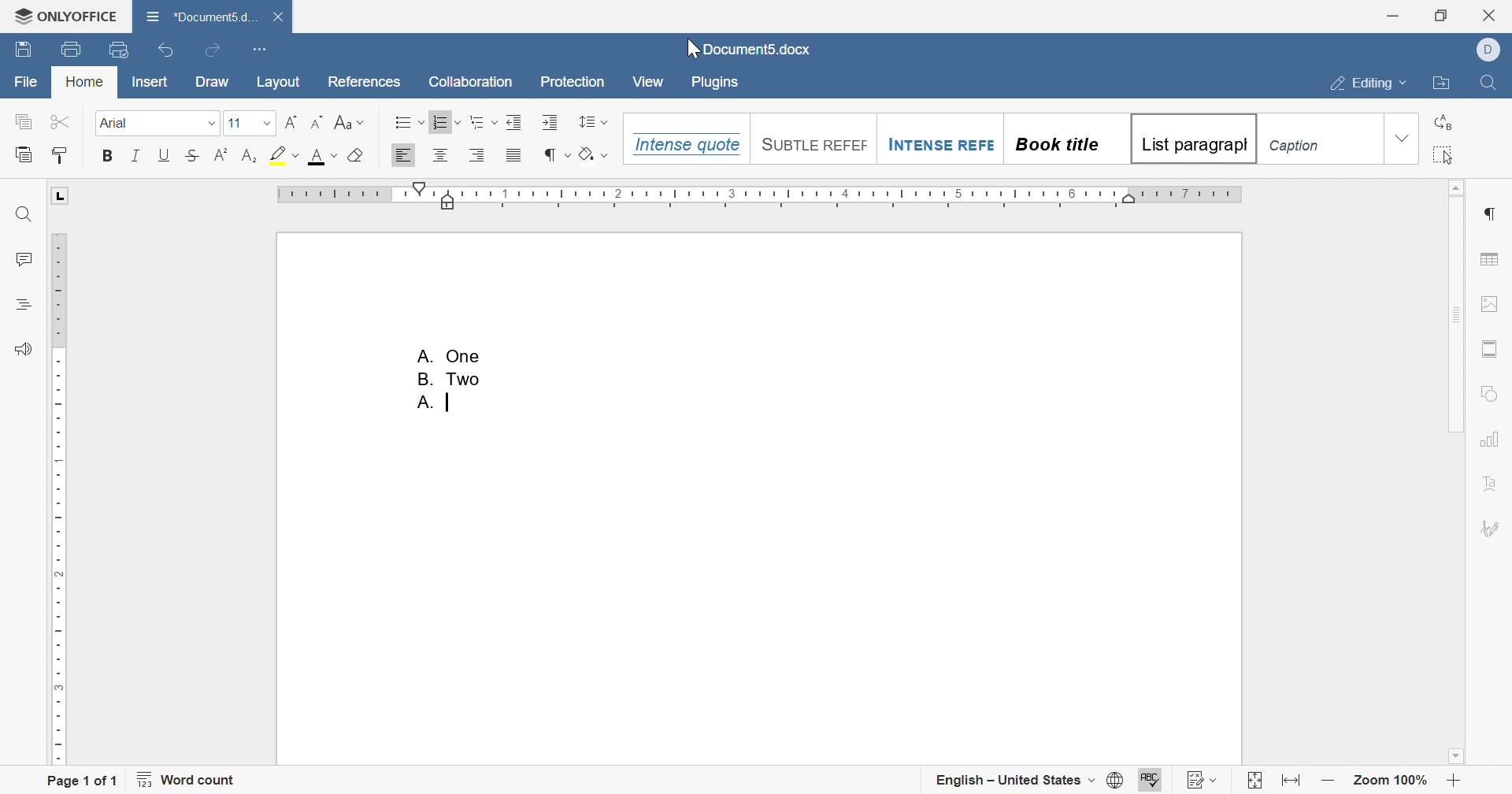 The width and height of the screenshot is (1512, 794). I want to click on word count, so click(187, 779).